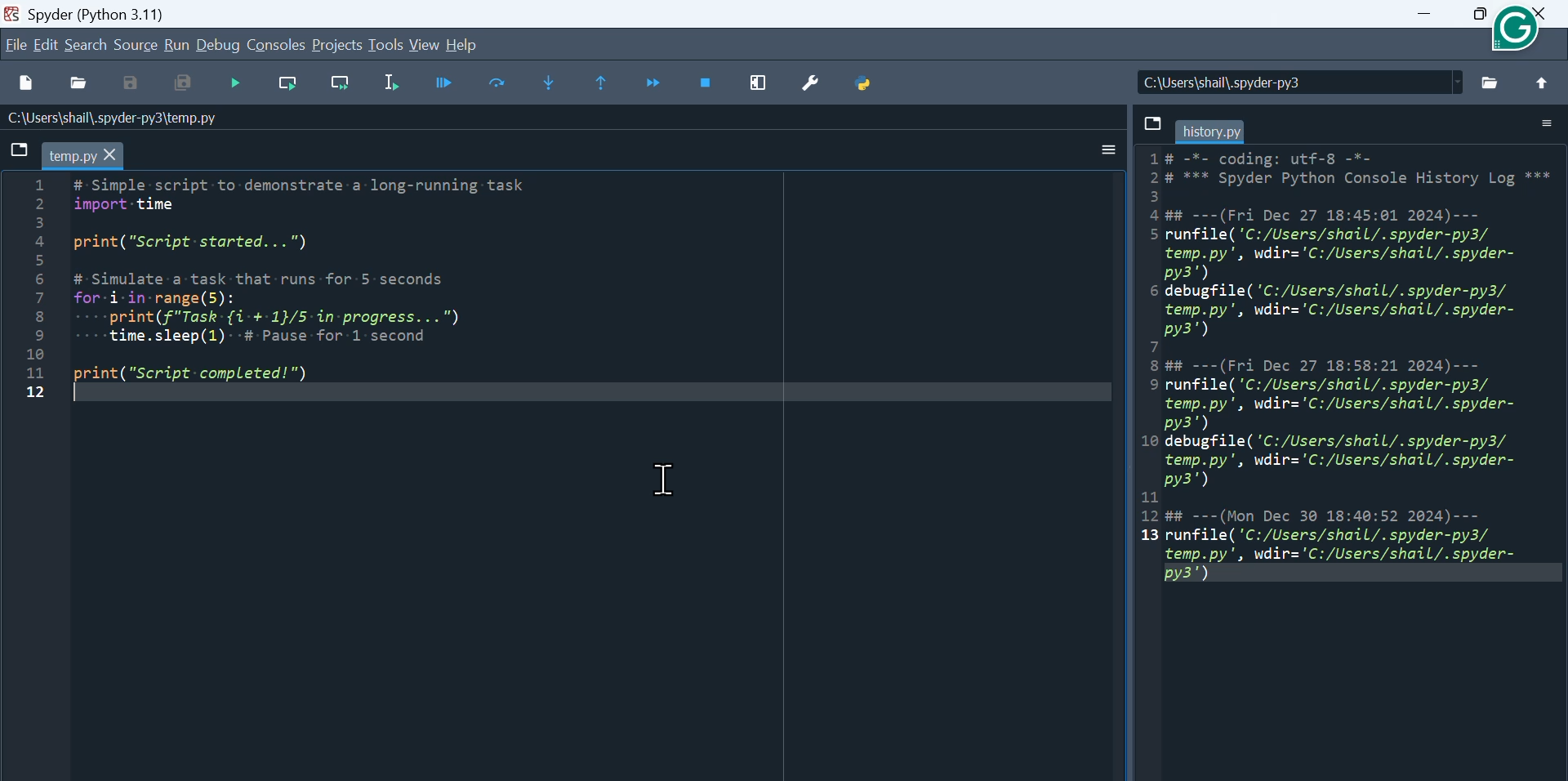 This screenshot has height=781, width=1568. I want to click on Execute until next function returns, so click(604, 83).